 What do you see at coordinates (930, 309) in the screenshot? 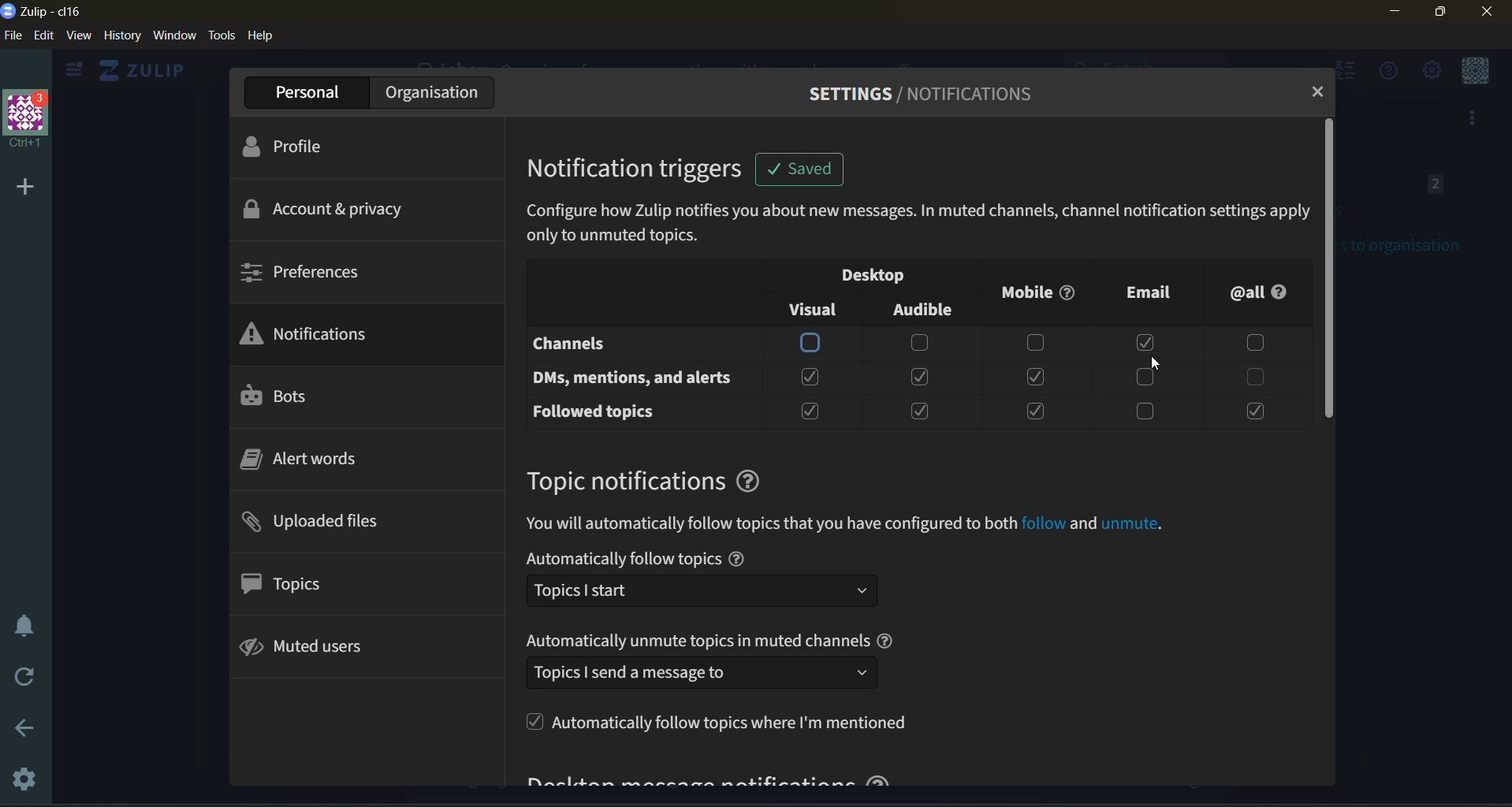
I see `audible` at bounding box center [930, 309].